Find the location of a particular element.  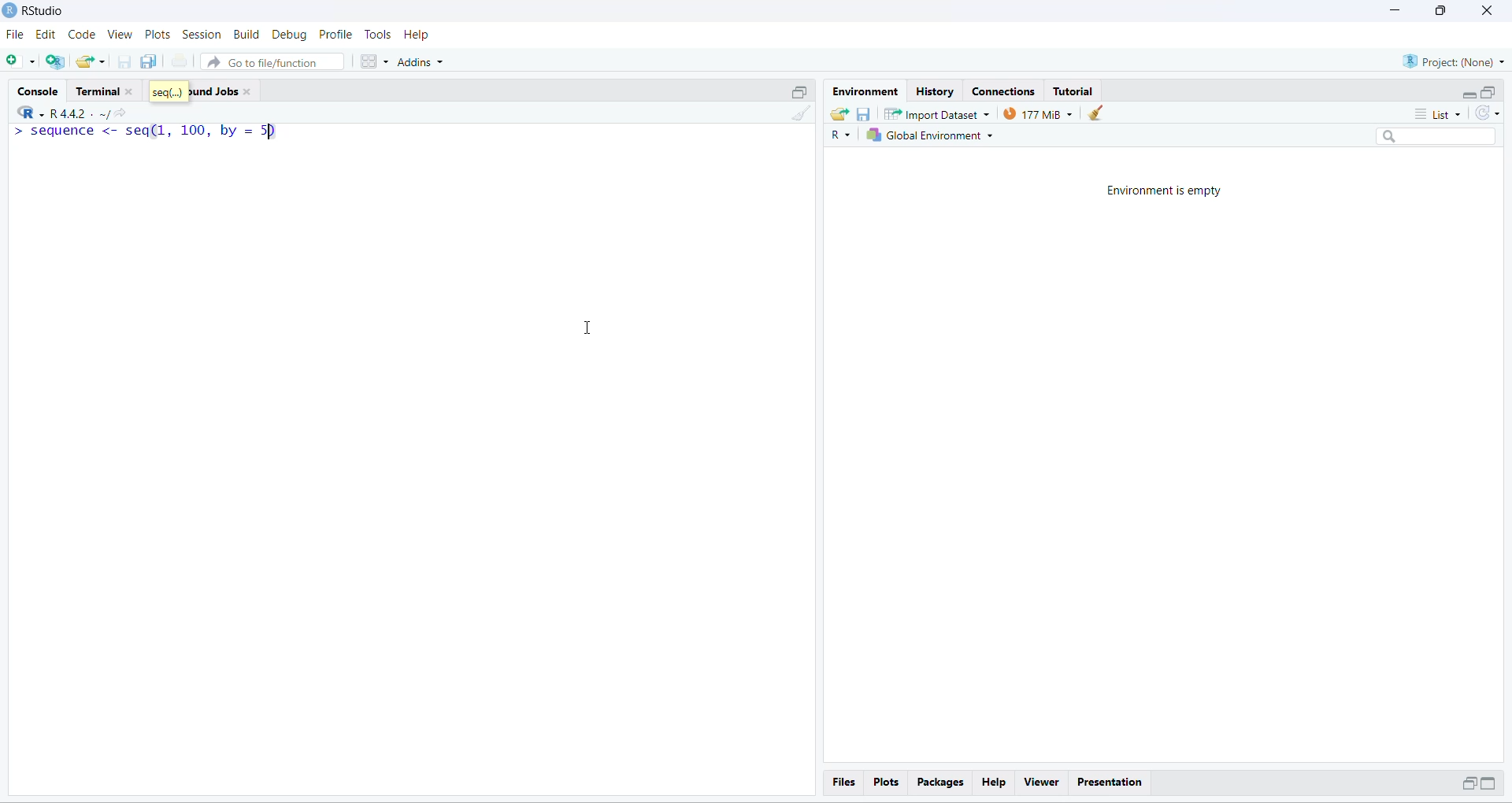

open in separate window is located at coordinates (1490, 92).